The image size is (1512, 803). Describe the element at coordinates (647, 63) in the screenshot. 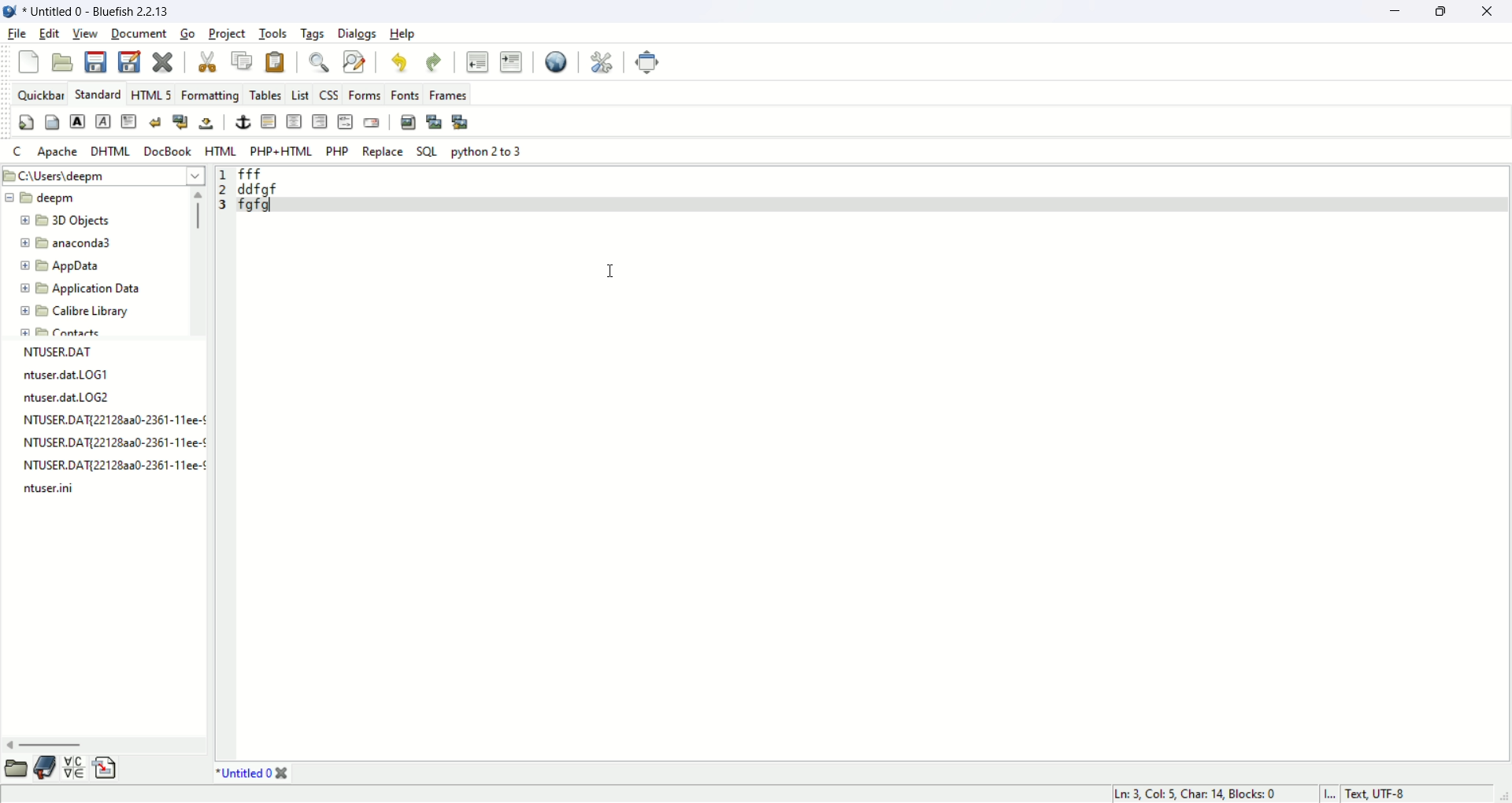

I see `fullscreen` at that location.